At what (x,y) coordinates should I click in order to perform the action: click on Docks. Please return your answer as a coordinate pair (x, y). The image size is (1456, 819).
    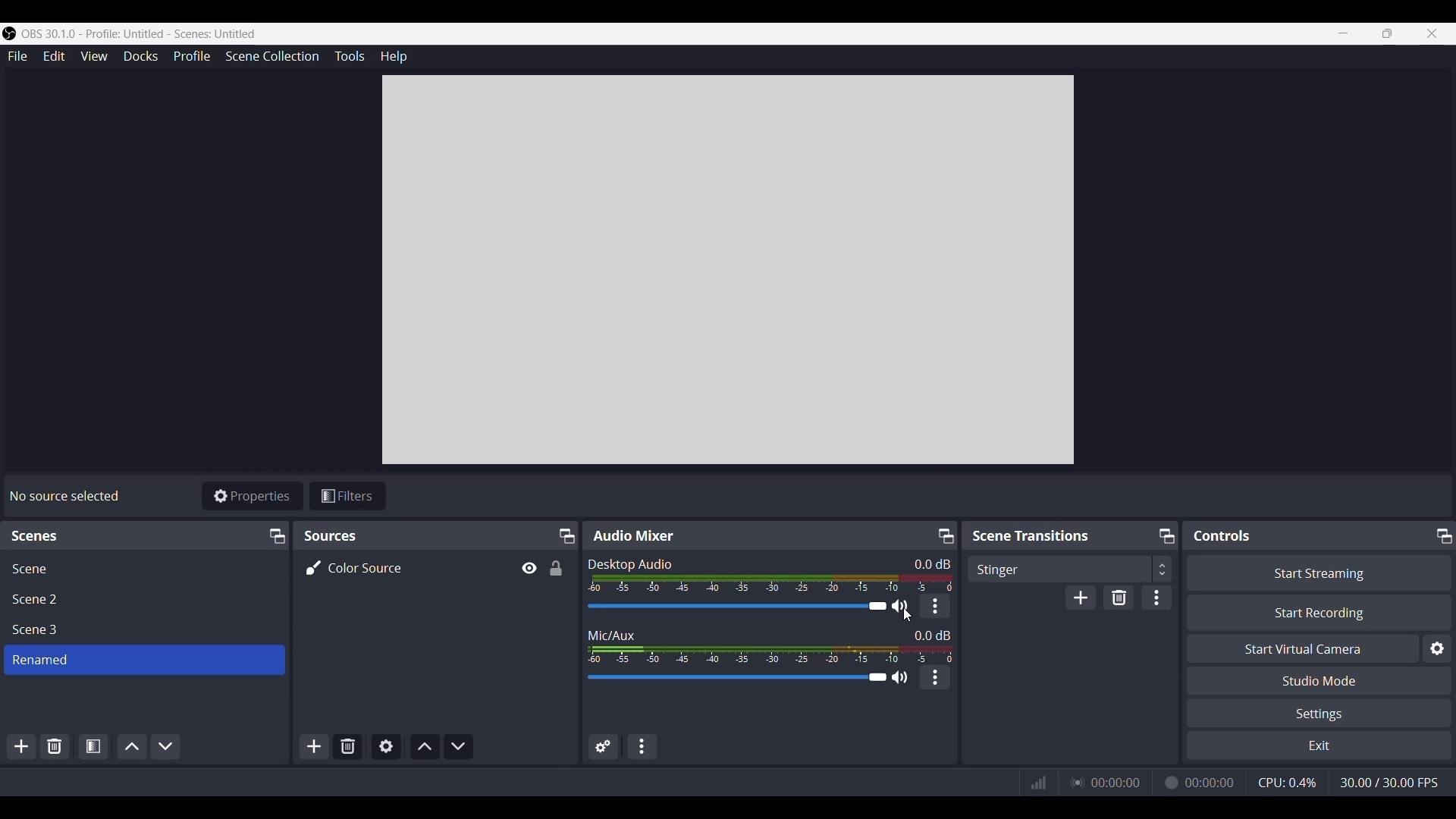
    Looking at the image, I should click on (141, 57).